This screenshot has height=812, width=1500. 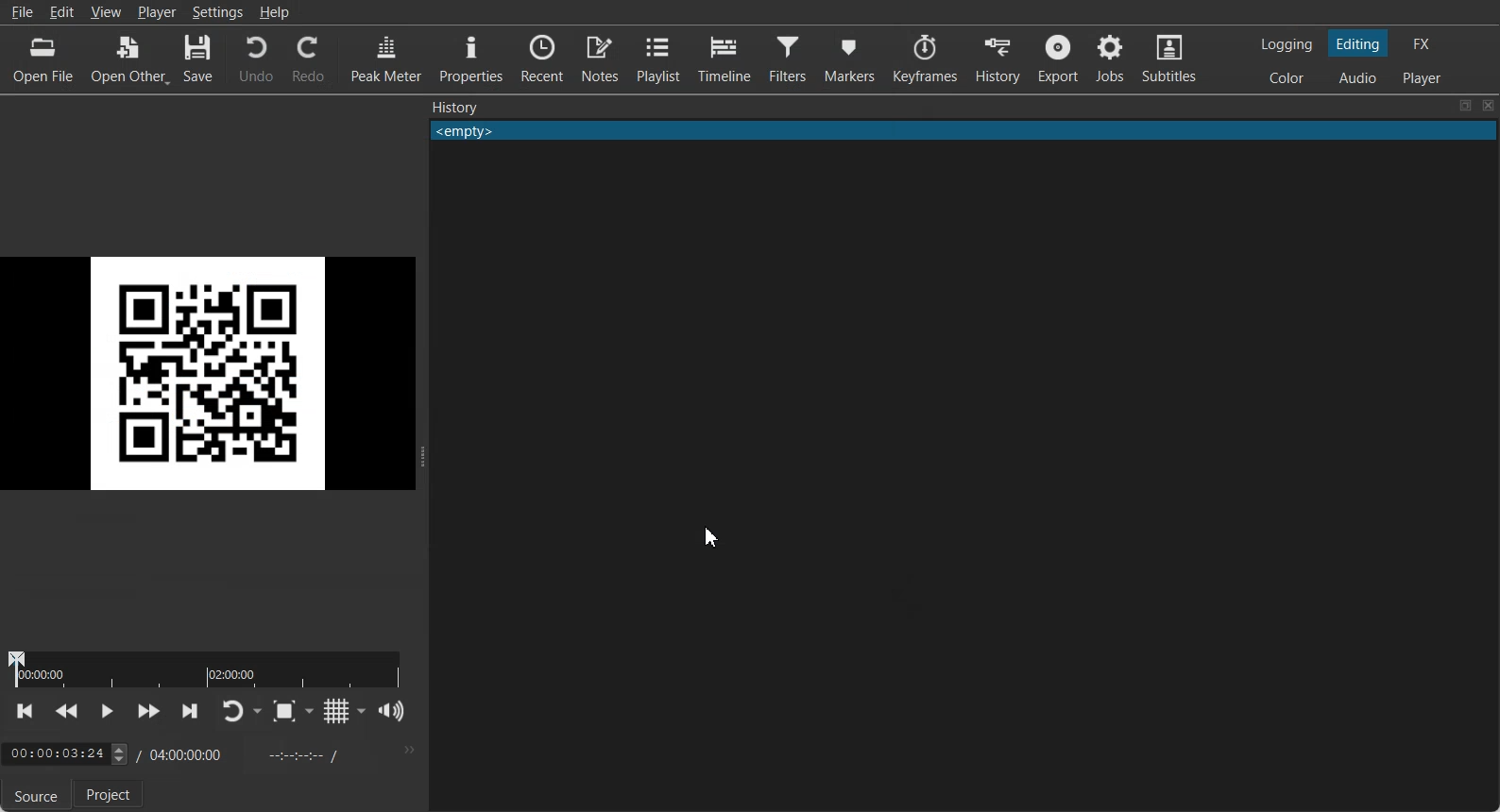 I want to click on Edit, so click(x=61, y=11).